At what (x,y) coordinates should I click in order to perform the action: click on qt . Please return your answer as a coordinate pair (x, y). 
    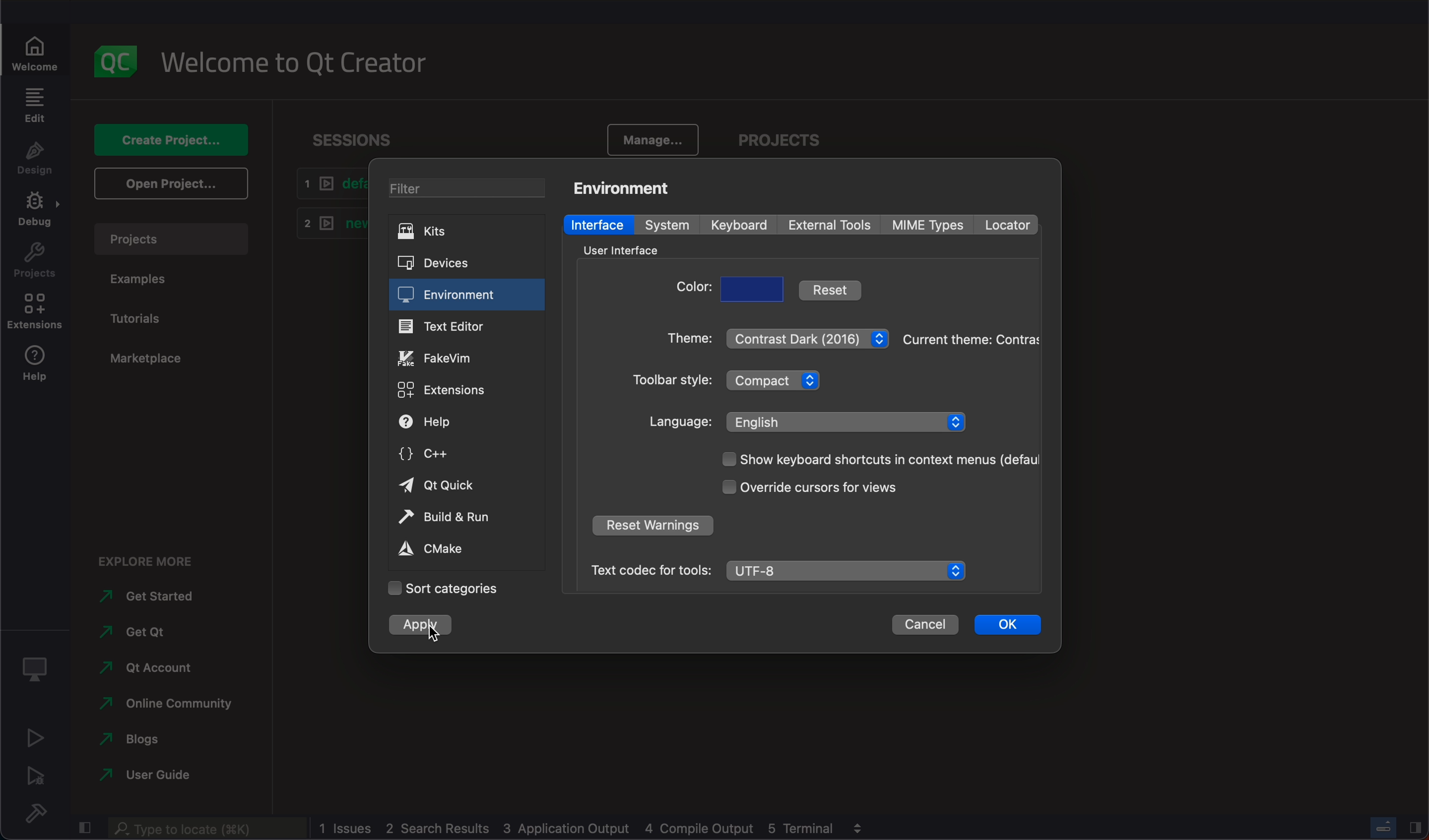
    Looking at the image, I should click on (466, 486).